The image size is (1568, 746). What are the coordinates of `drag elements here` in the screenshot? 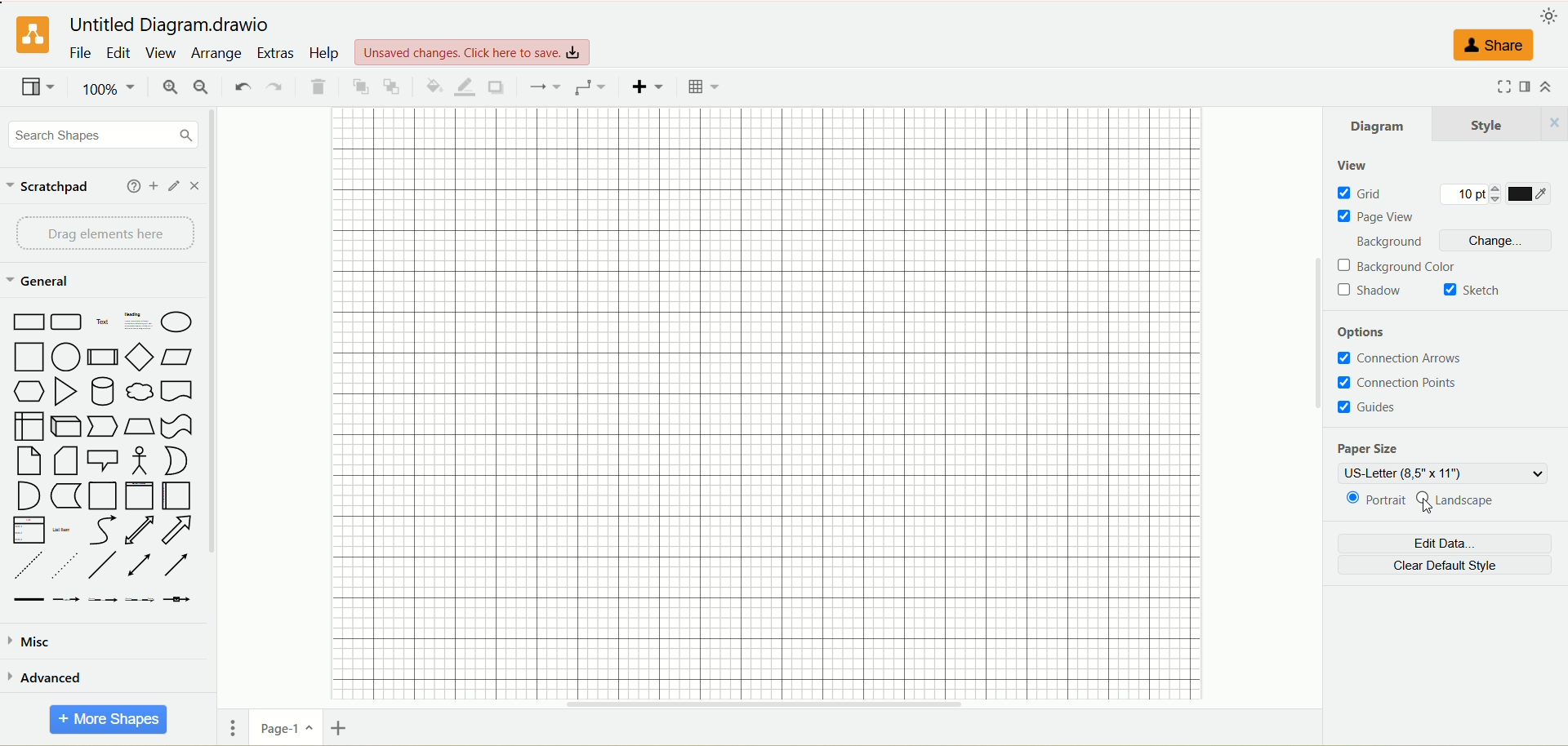 It's located at (109, 233).